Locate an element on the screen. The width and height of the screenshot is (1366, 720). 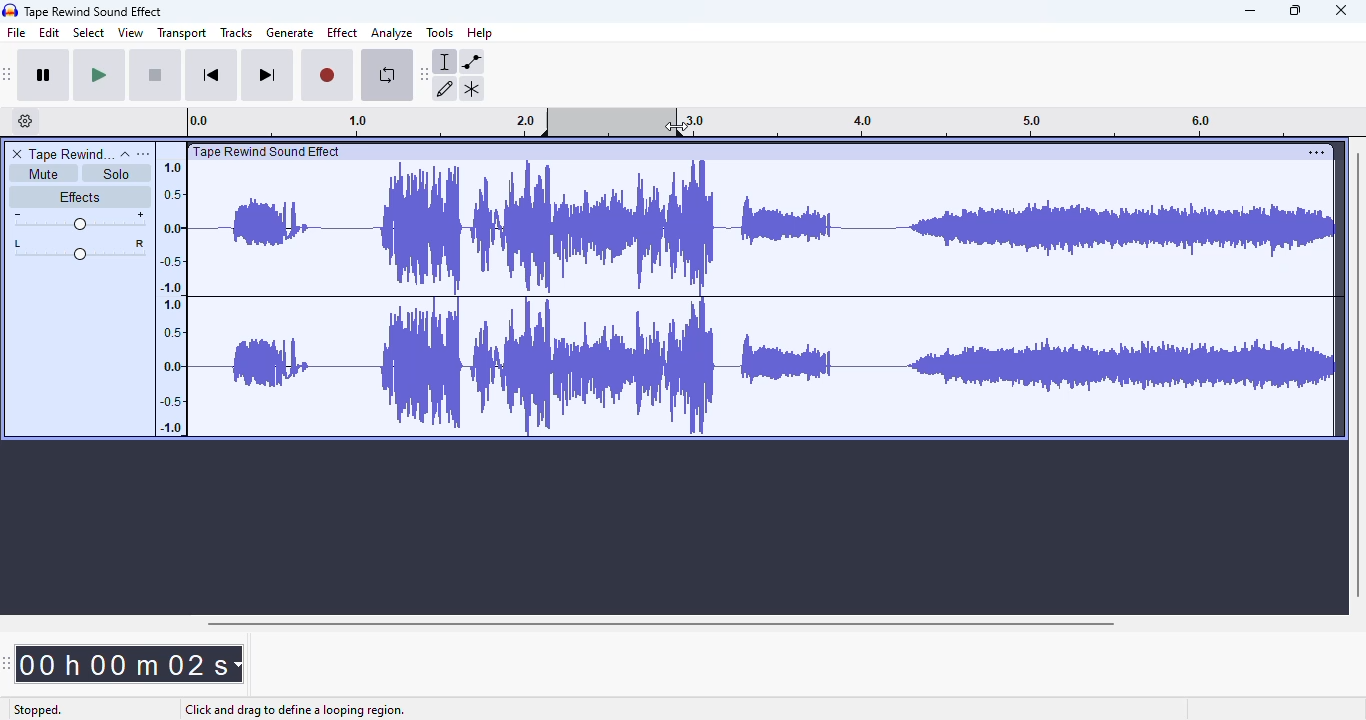
enable looping is located at coordinates (385, 78).